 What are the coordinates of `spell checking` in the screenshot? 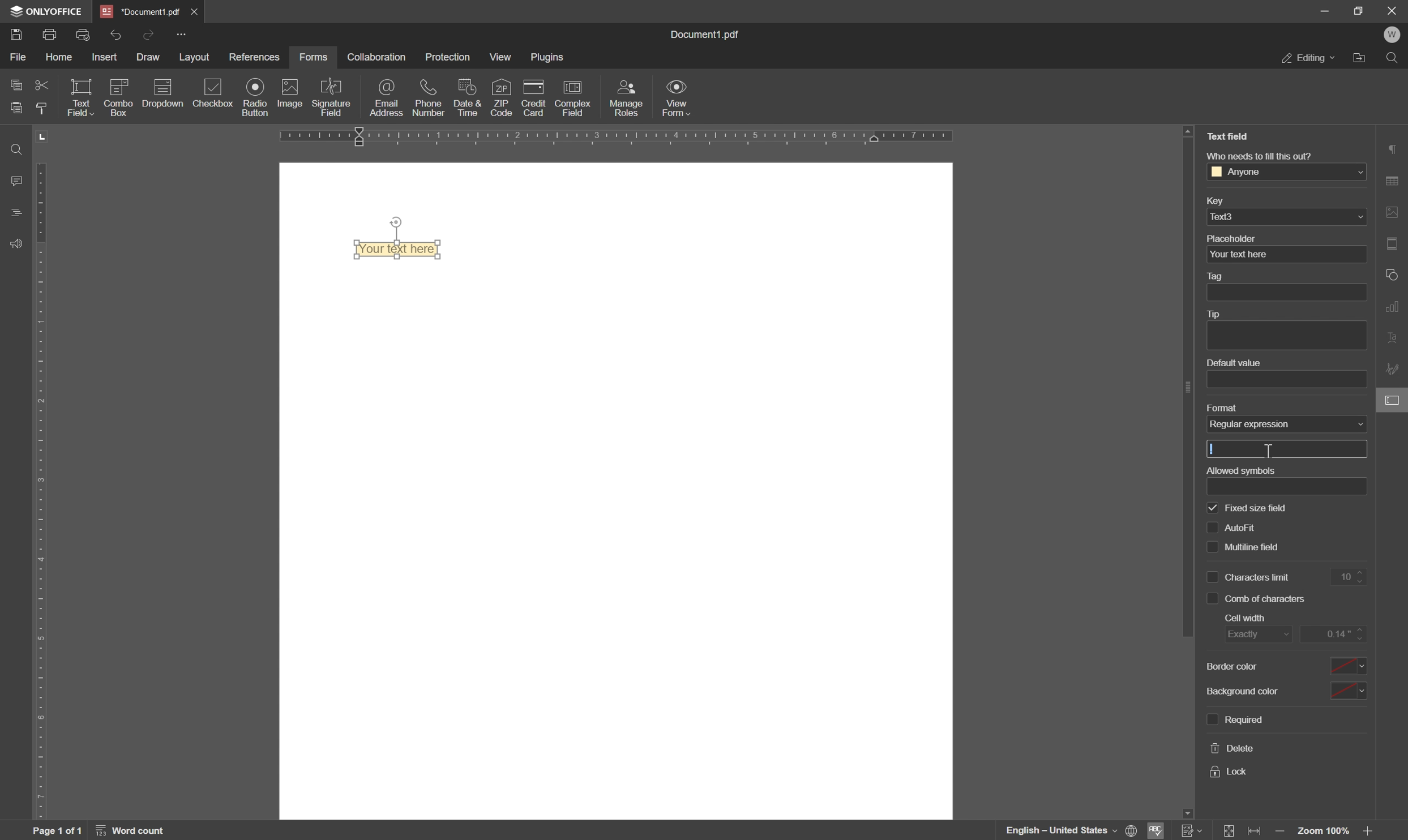 It's located at (1159, 831).